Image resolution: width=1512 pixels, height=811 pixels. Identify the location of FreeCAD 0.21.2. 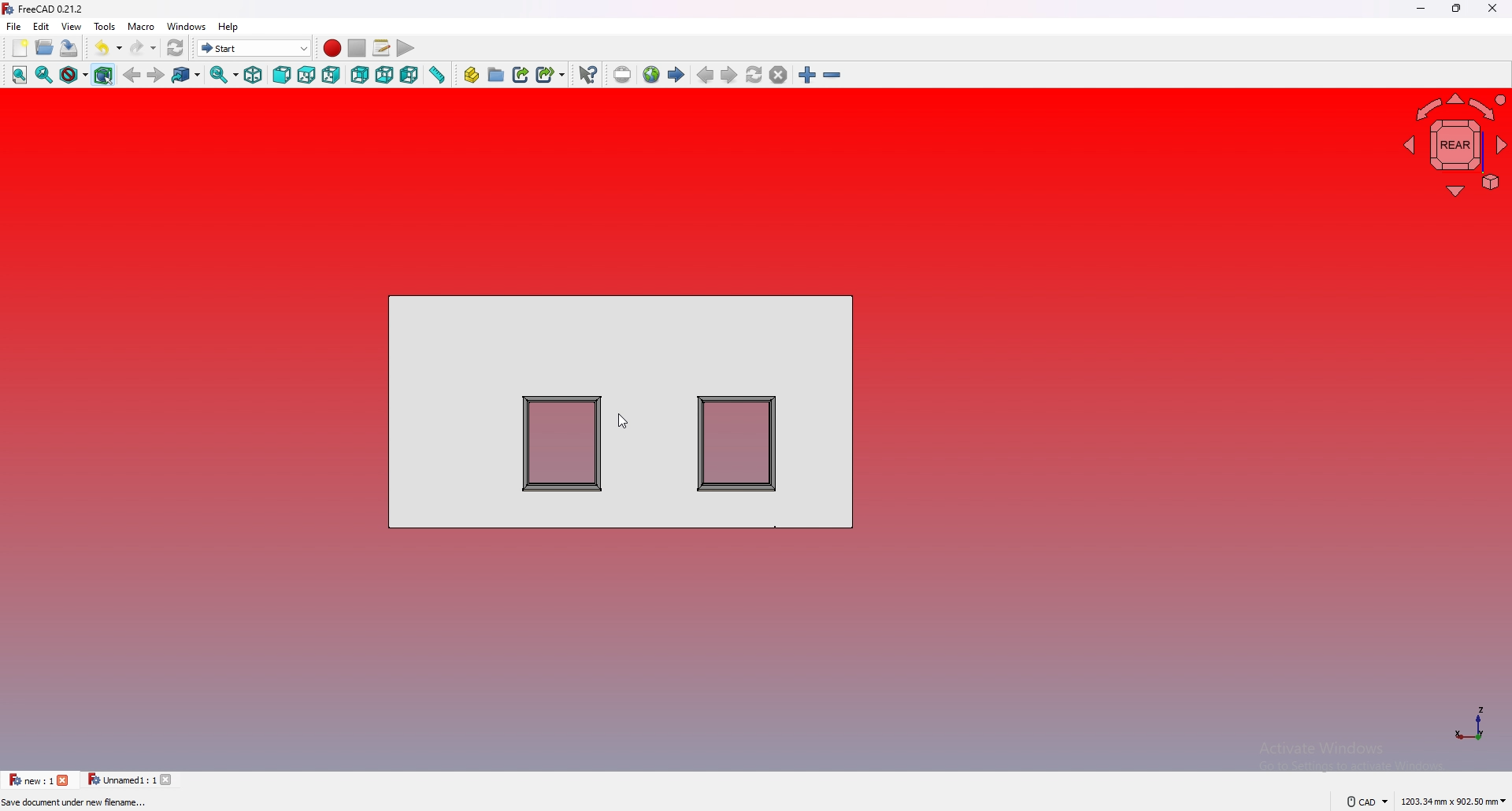
(46, 9).